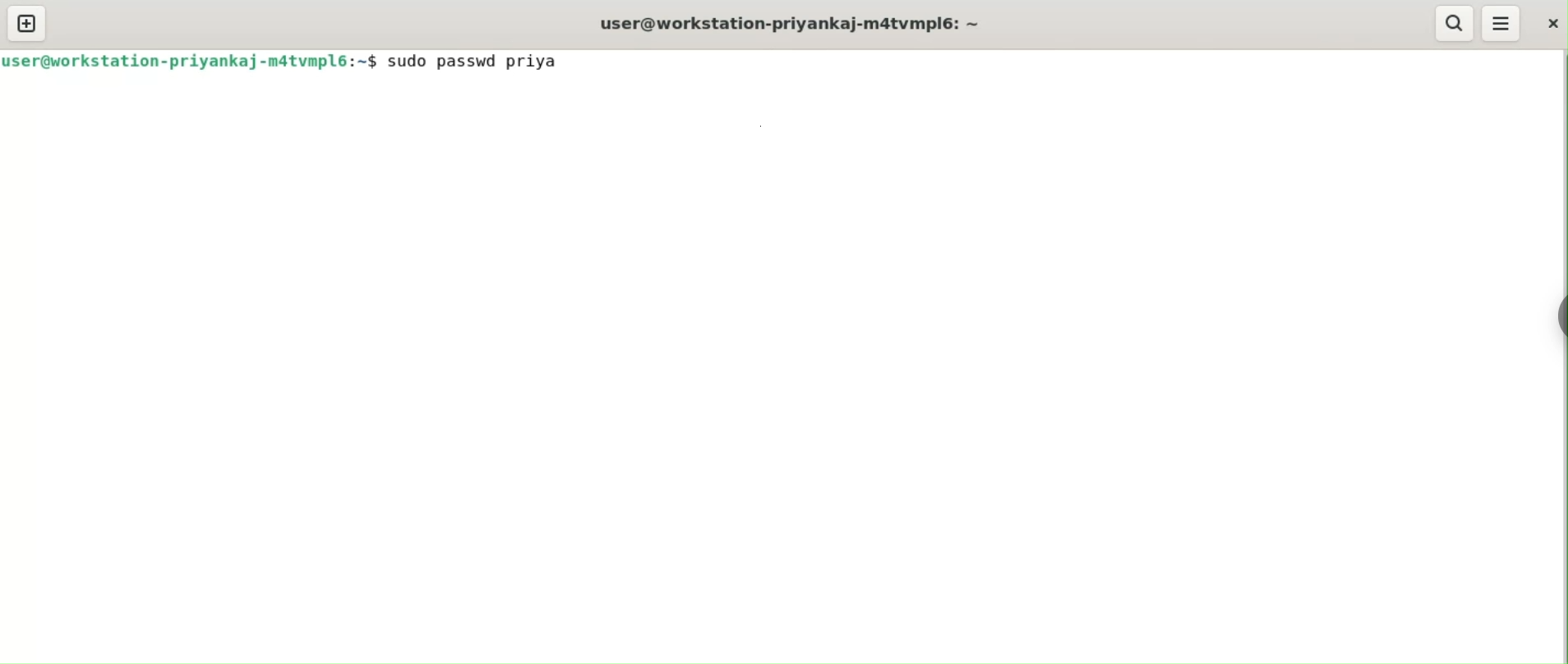  I want to click on search, so click(1454, 24).